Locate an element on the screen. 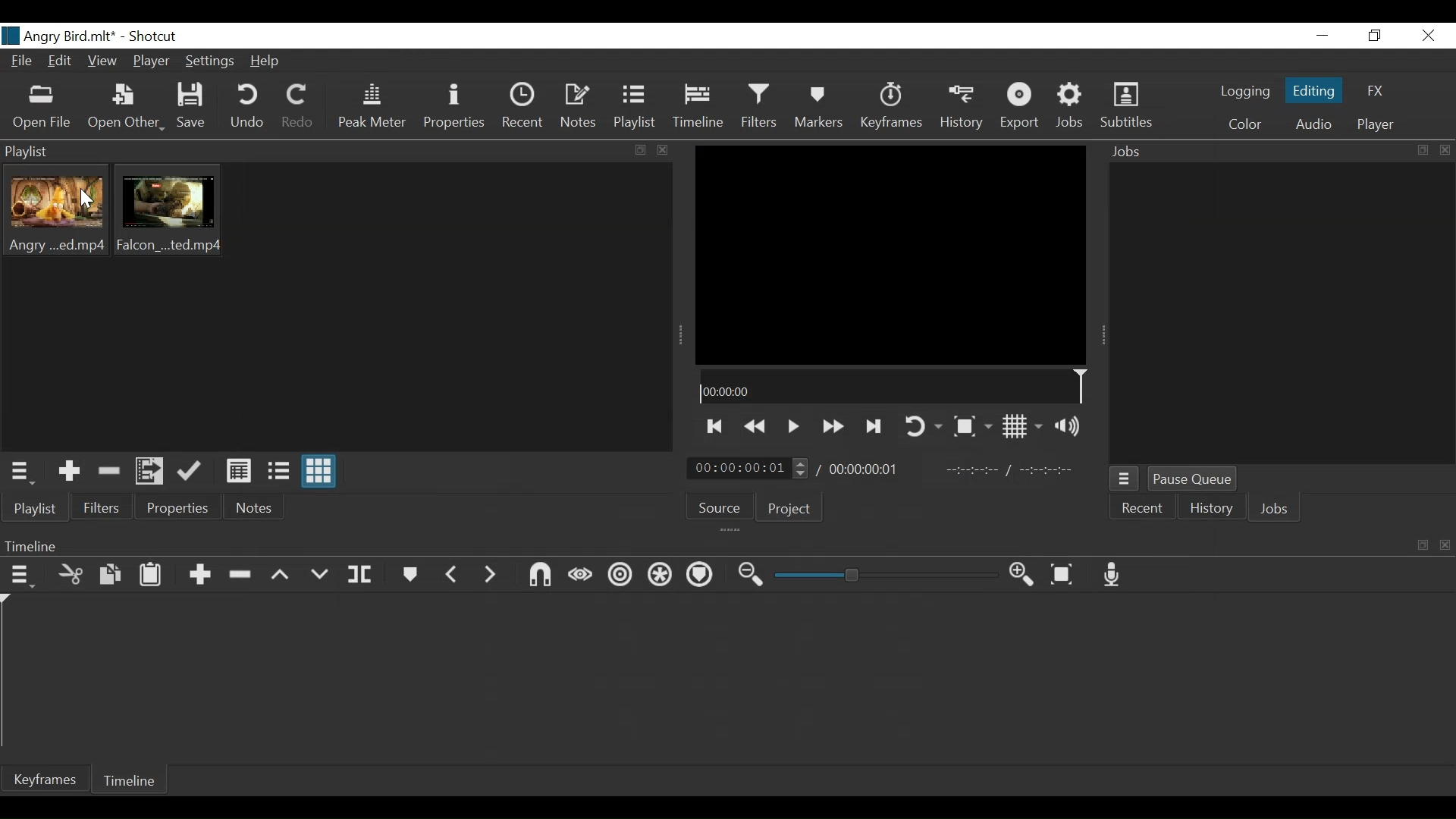 Image resolution: width=1456 pixels, height=819 pixels. Save is located at coordinates (192, 107).